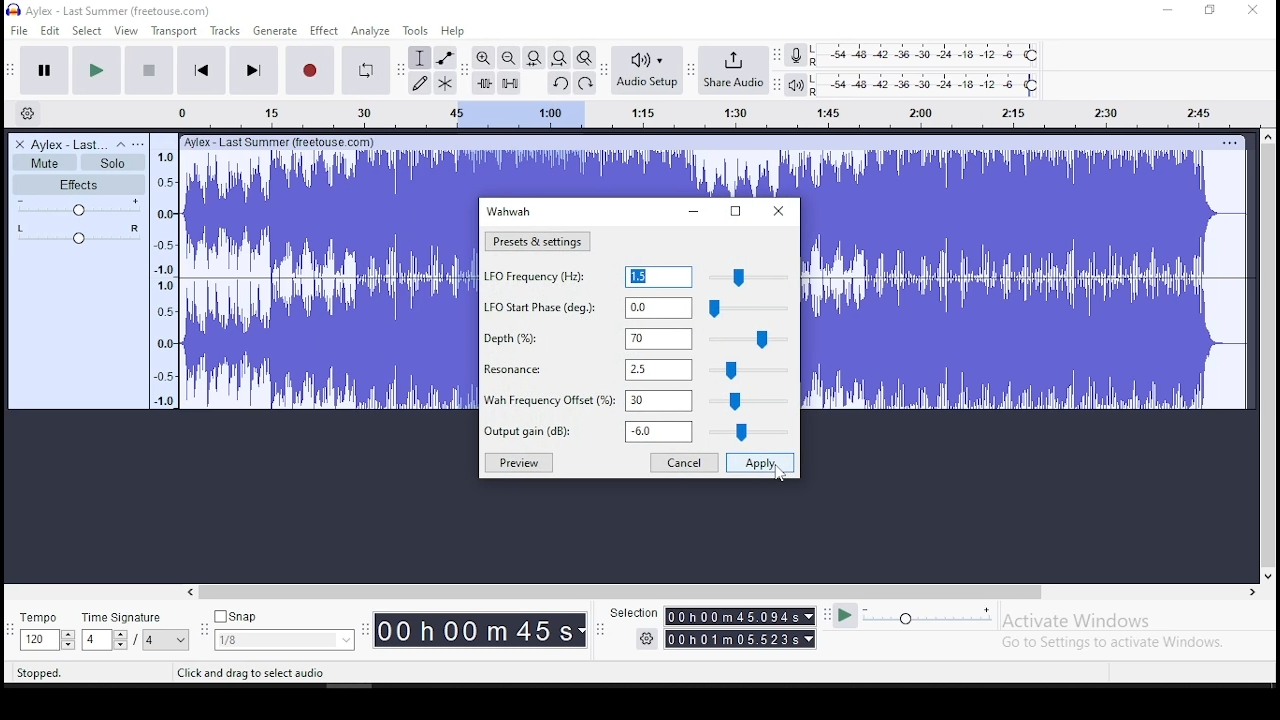 The width and height of the screenshot is (1280, 720). I want to click on track options, so click(1229, 142).